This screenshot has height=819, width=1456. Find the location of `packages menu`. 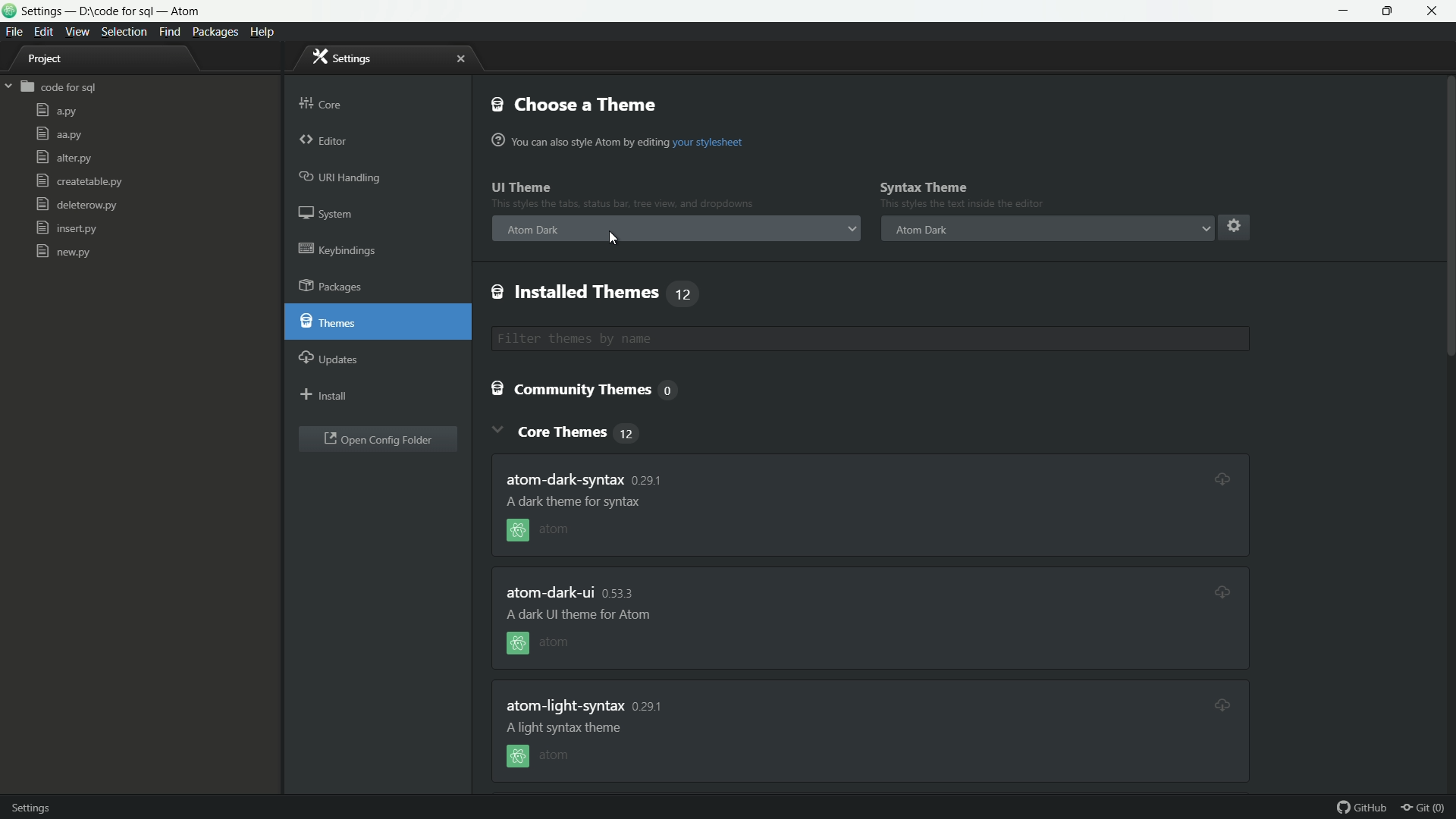

packages menu is located at coordinates (217, 32).